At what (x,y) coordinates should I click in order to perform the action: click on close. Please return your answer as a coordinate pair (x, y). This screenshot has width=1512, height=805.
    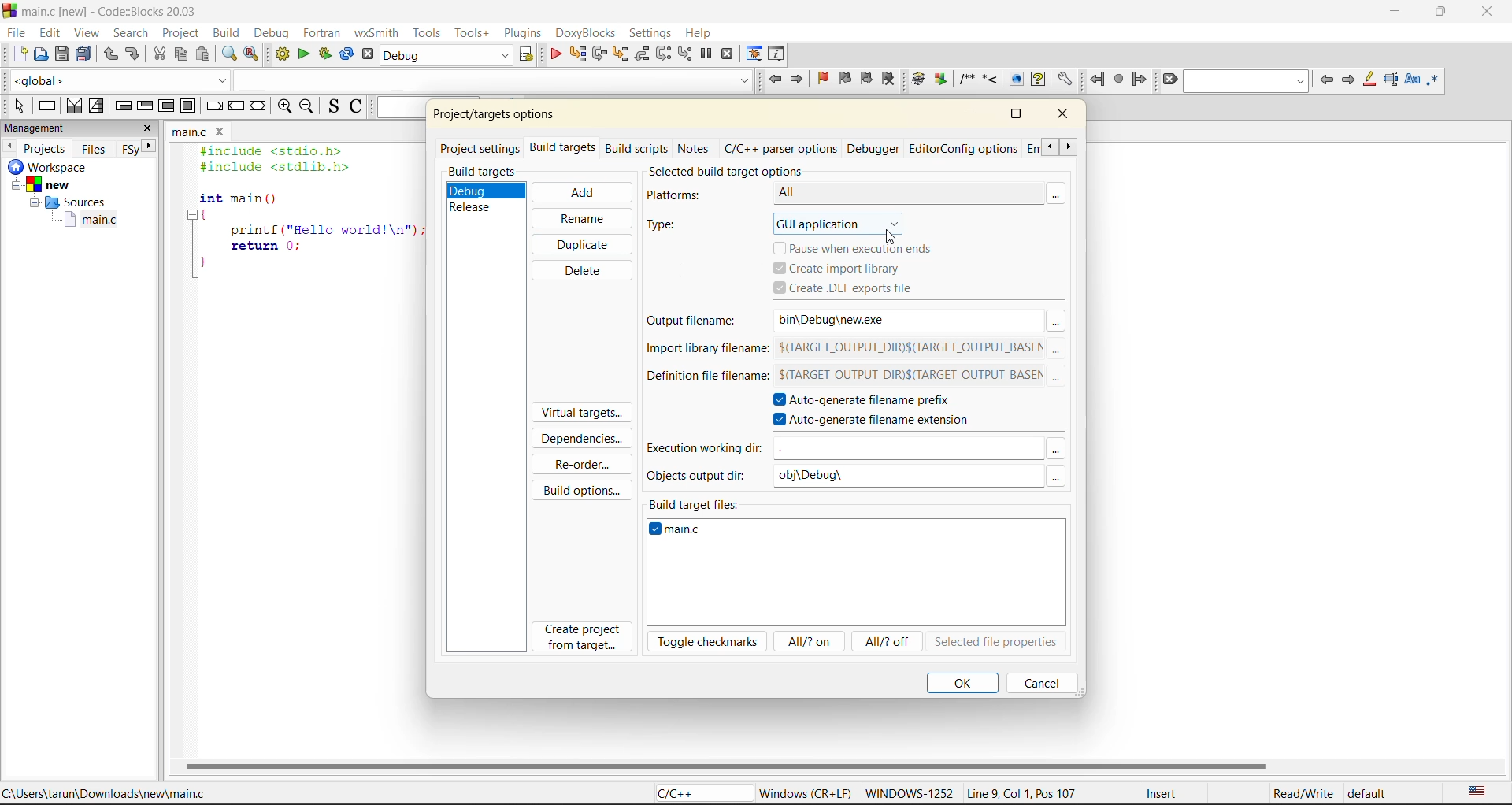
    Looking at the image, I should click on (150, 128).